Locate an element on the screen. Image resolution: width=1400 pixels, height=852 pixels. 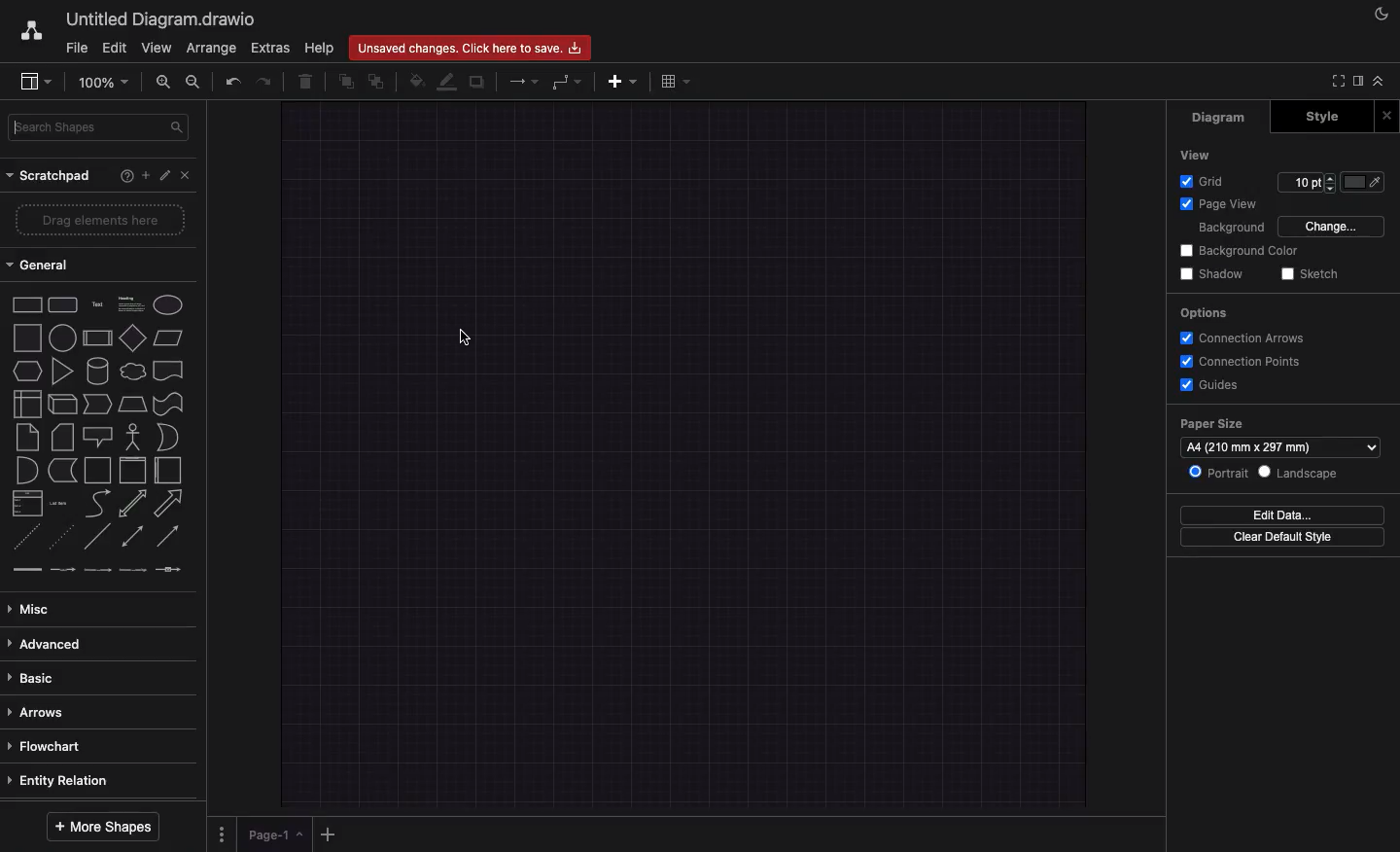
More shapes is located at coordinates (101, 827).